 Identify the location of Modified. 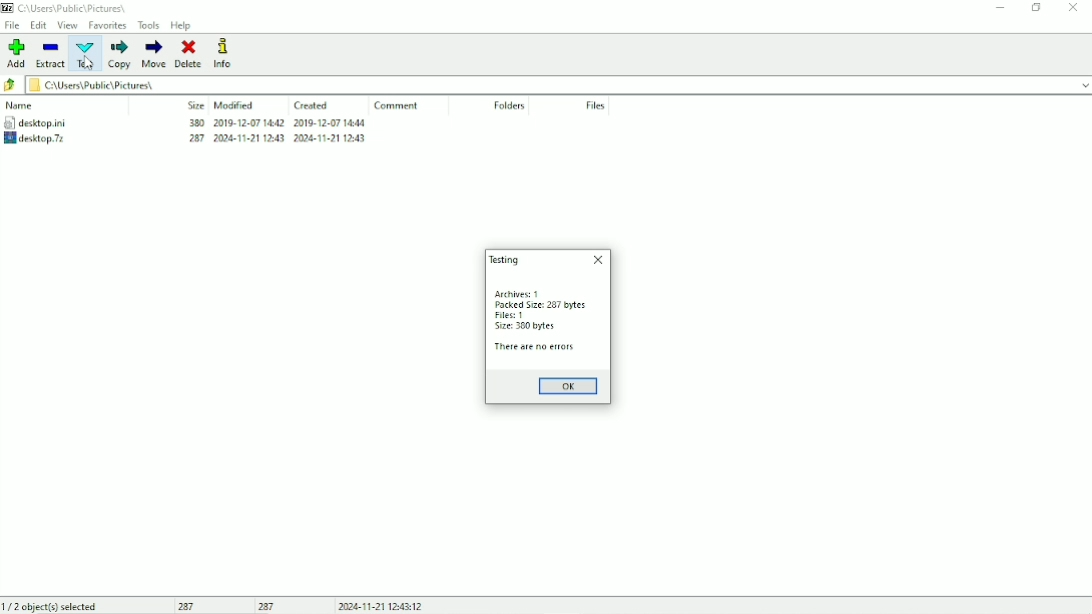
(235, 105).